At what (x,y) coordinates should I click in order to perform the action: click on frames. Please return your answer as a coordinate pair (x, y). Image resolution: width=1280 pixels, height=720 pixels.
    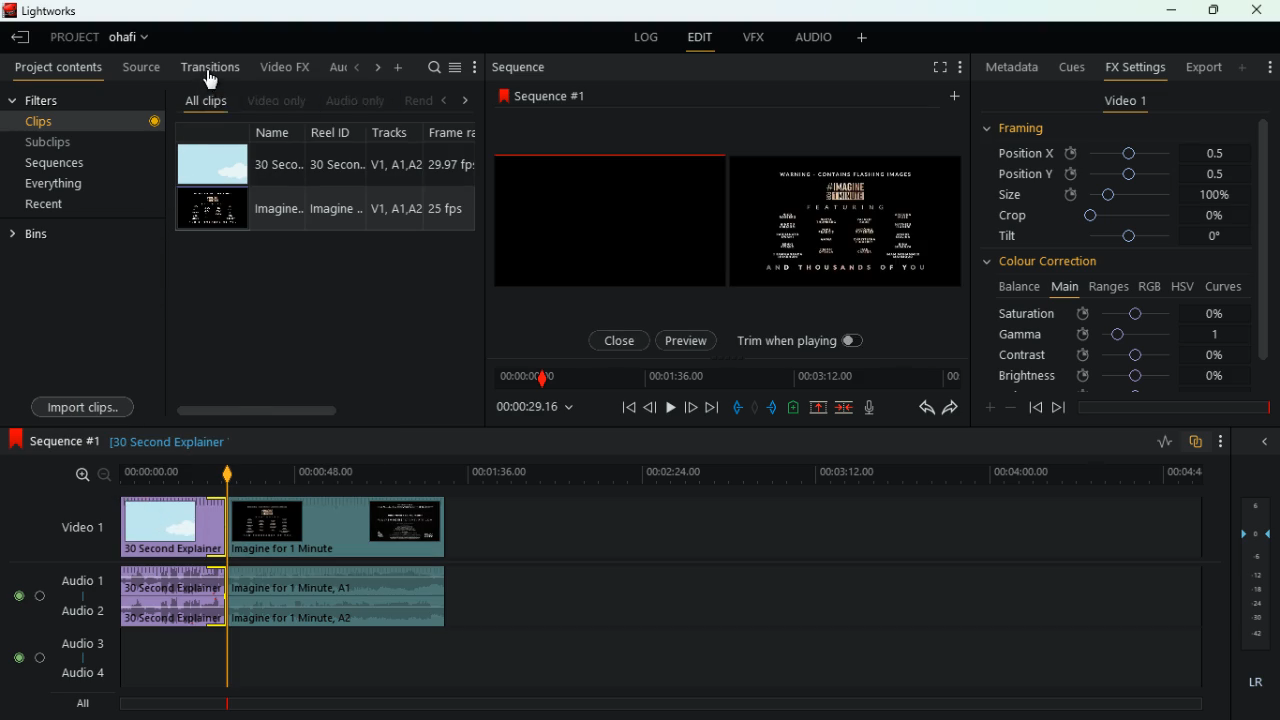
    Looking at the image, I should click on (1253, 574).